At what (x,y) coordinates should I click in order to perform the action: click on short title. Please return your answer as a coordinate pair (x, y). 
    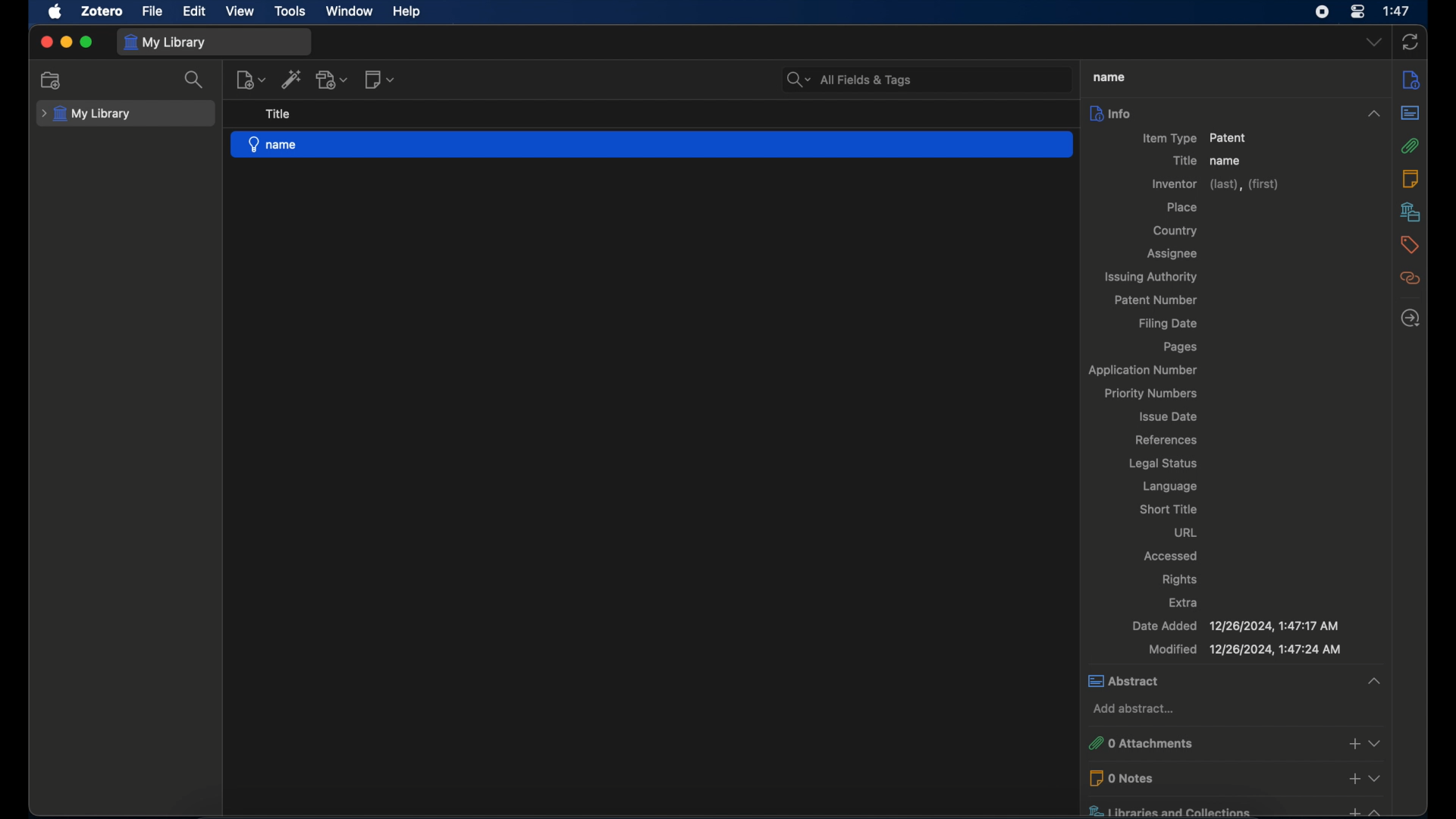
    Looking at the image, I should click on (1169, 509).